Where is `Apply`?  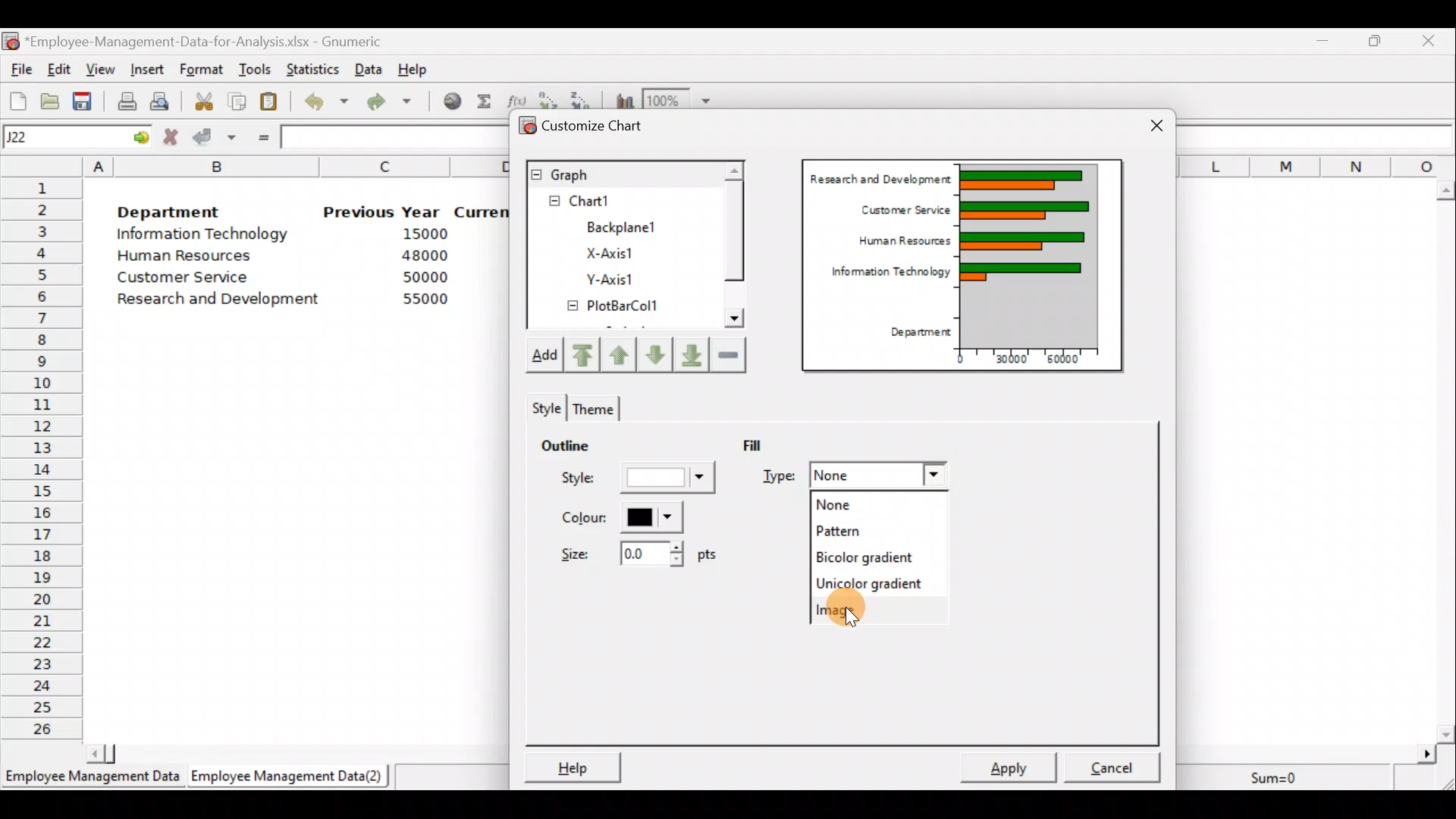
Apply is located at coordinates (1010, 767).